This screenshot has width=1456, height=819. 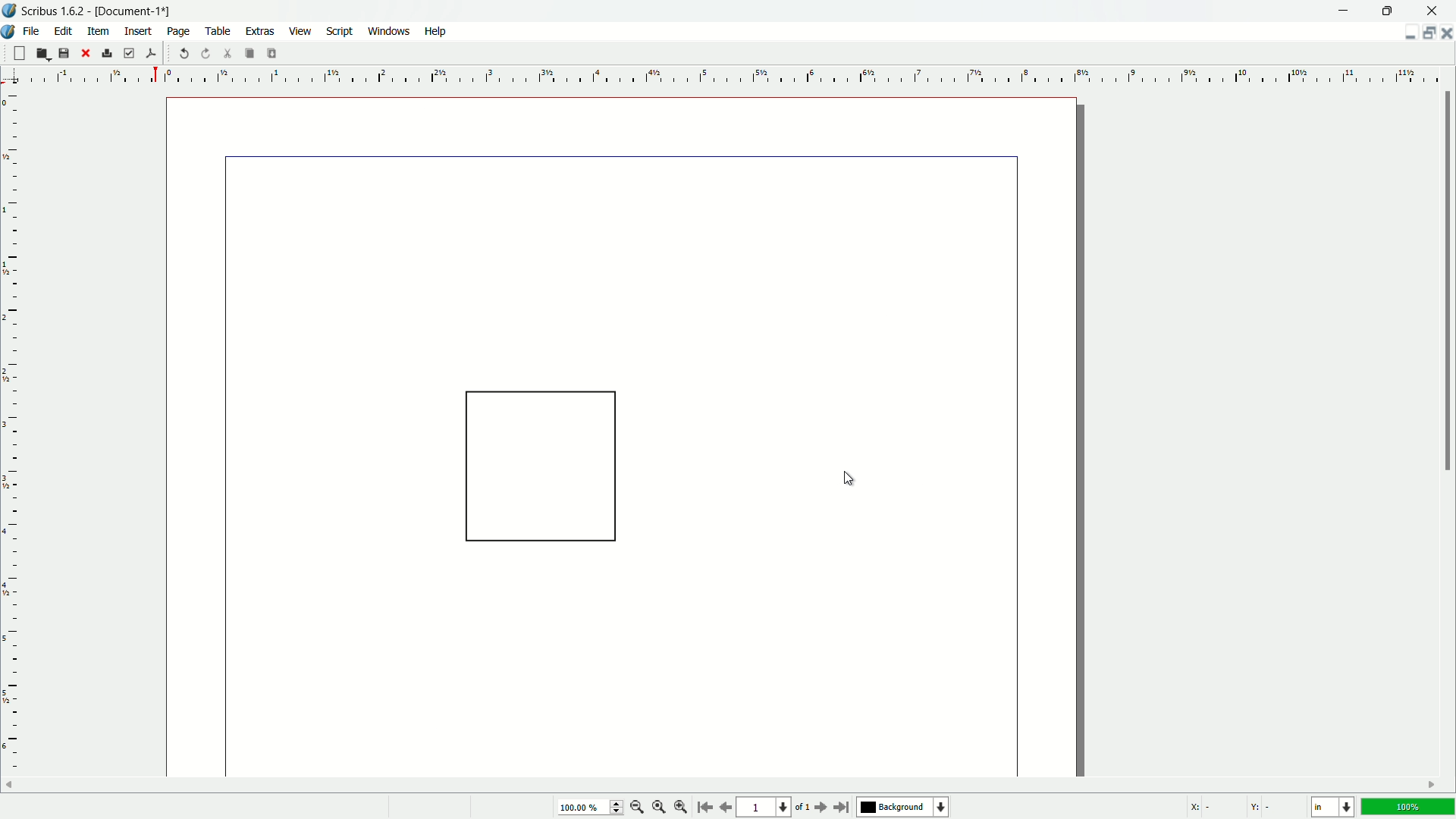 I want to click on zoom to 100%, so click(x=659, y=808).